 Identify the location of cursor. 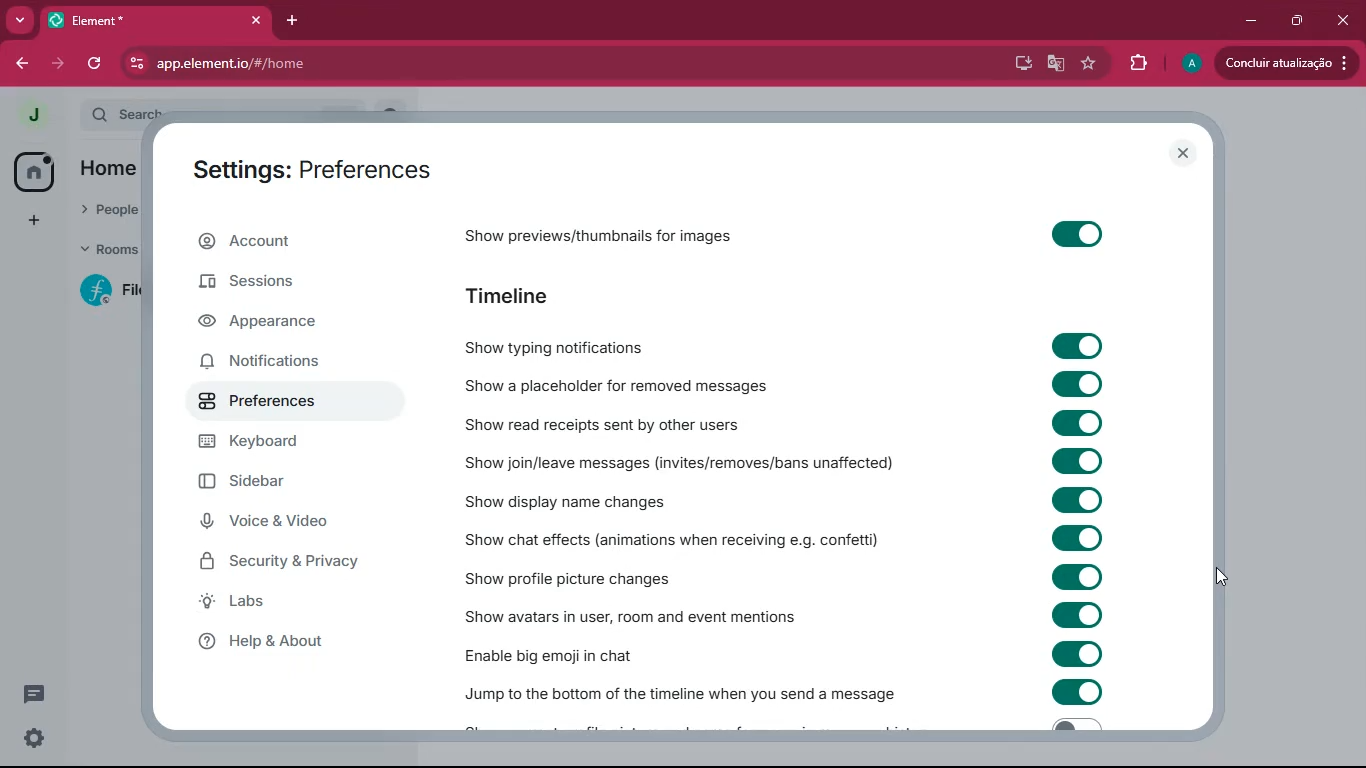
(1219, 576).